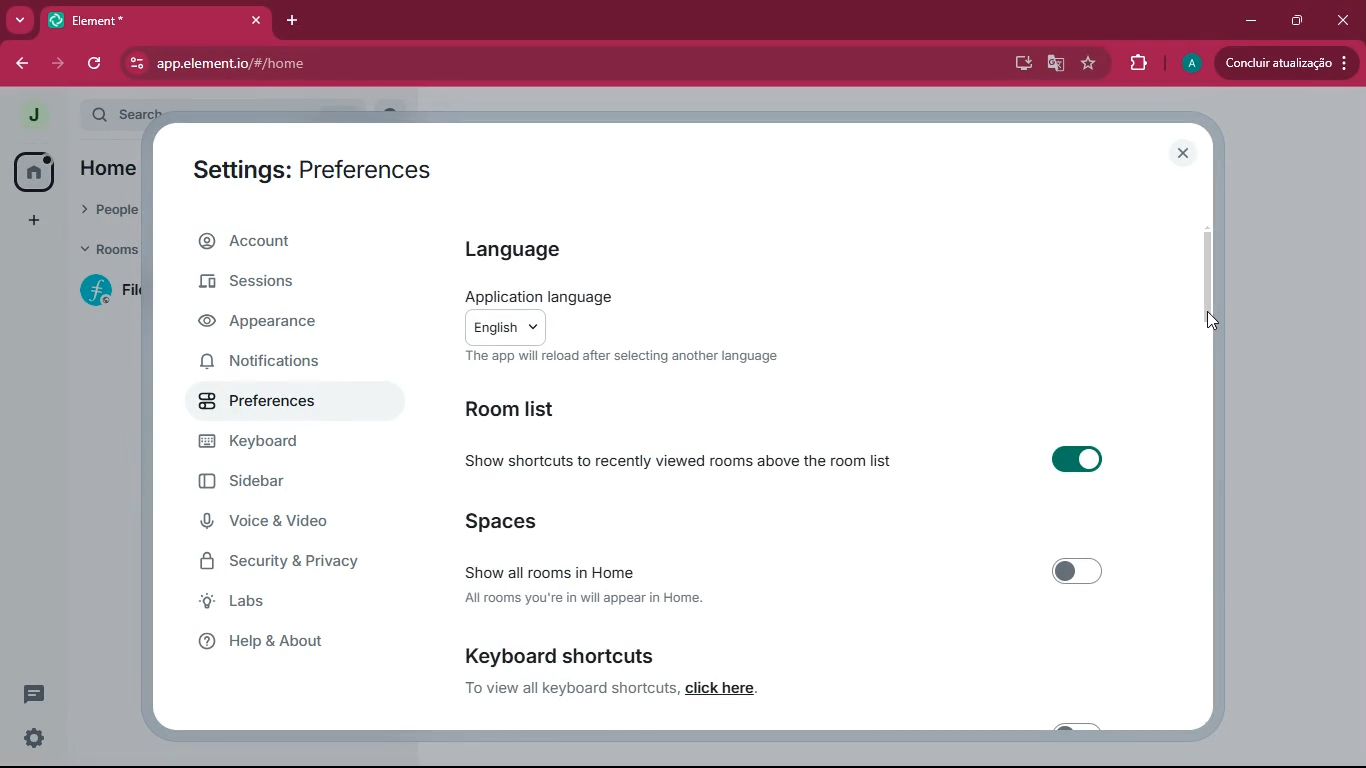  What do you see at coordinates (277, 444) in the screenshot?
I see `keyboard` at bounding box center [277, 444].